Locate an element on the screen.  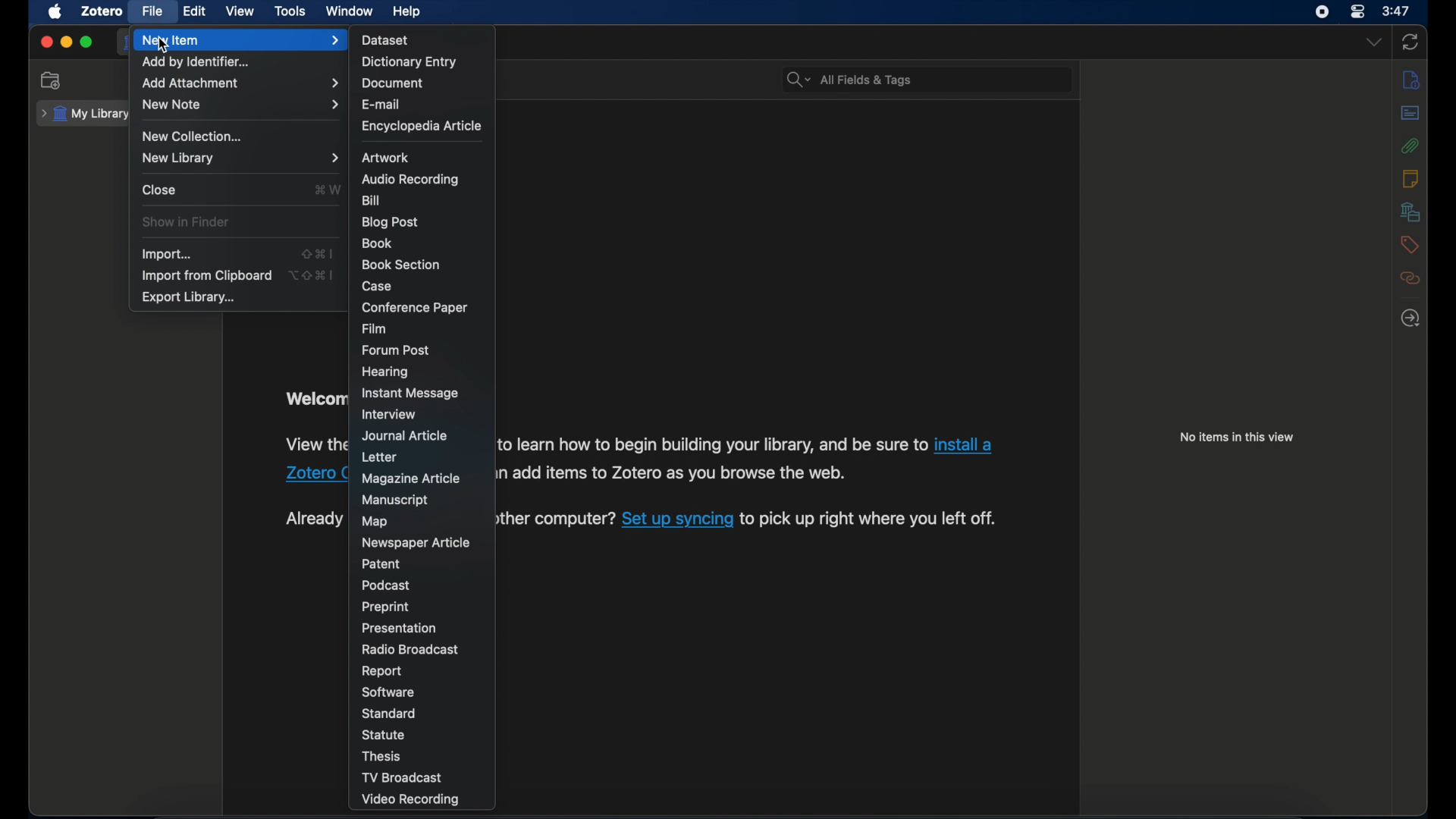
obscure text is located at coordinates (314, 445).